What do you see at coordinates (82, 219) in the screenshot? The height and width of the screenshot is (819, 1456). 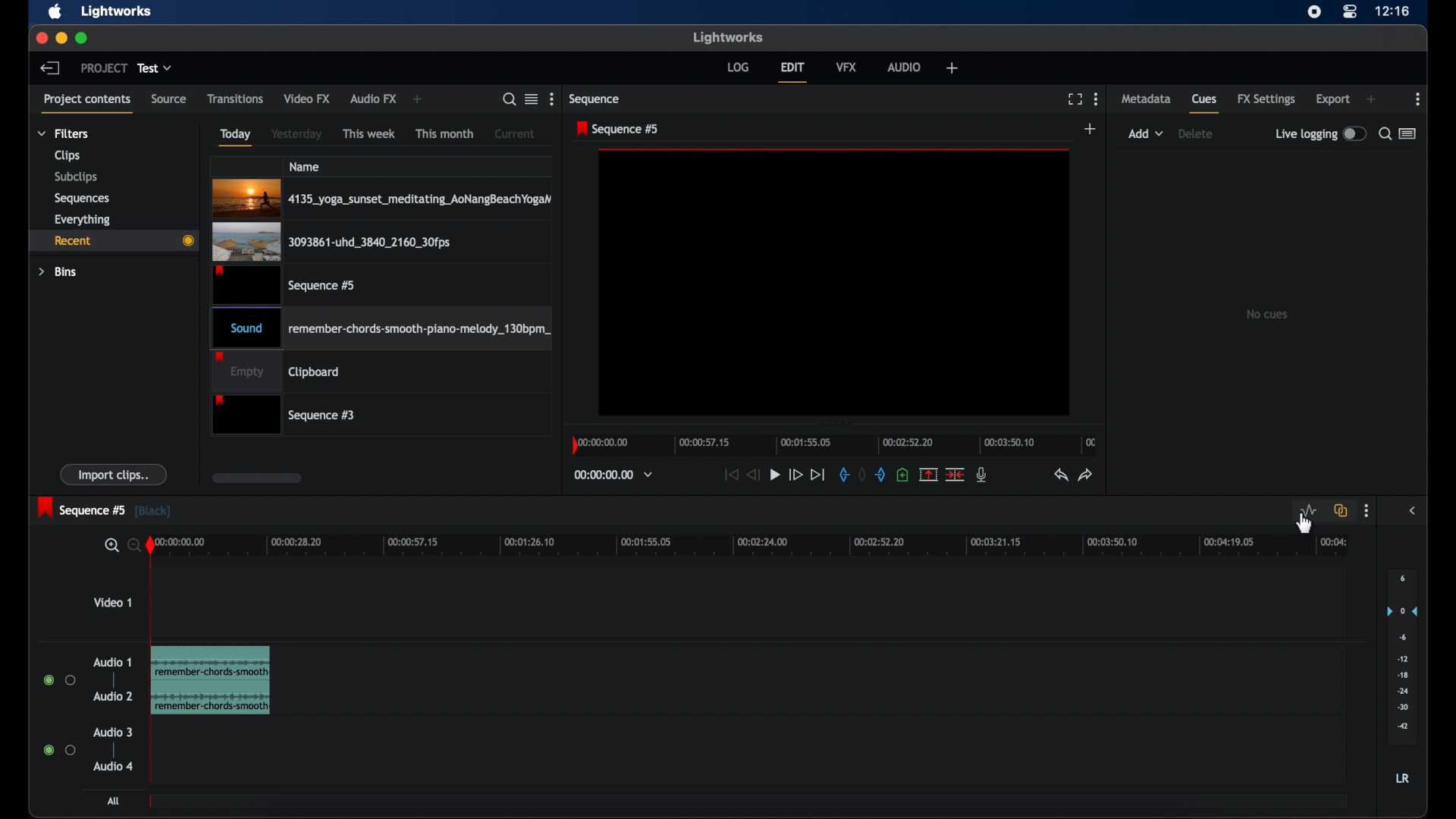 I see `everything` at bounding box center [82, 219].